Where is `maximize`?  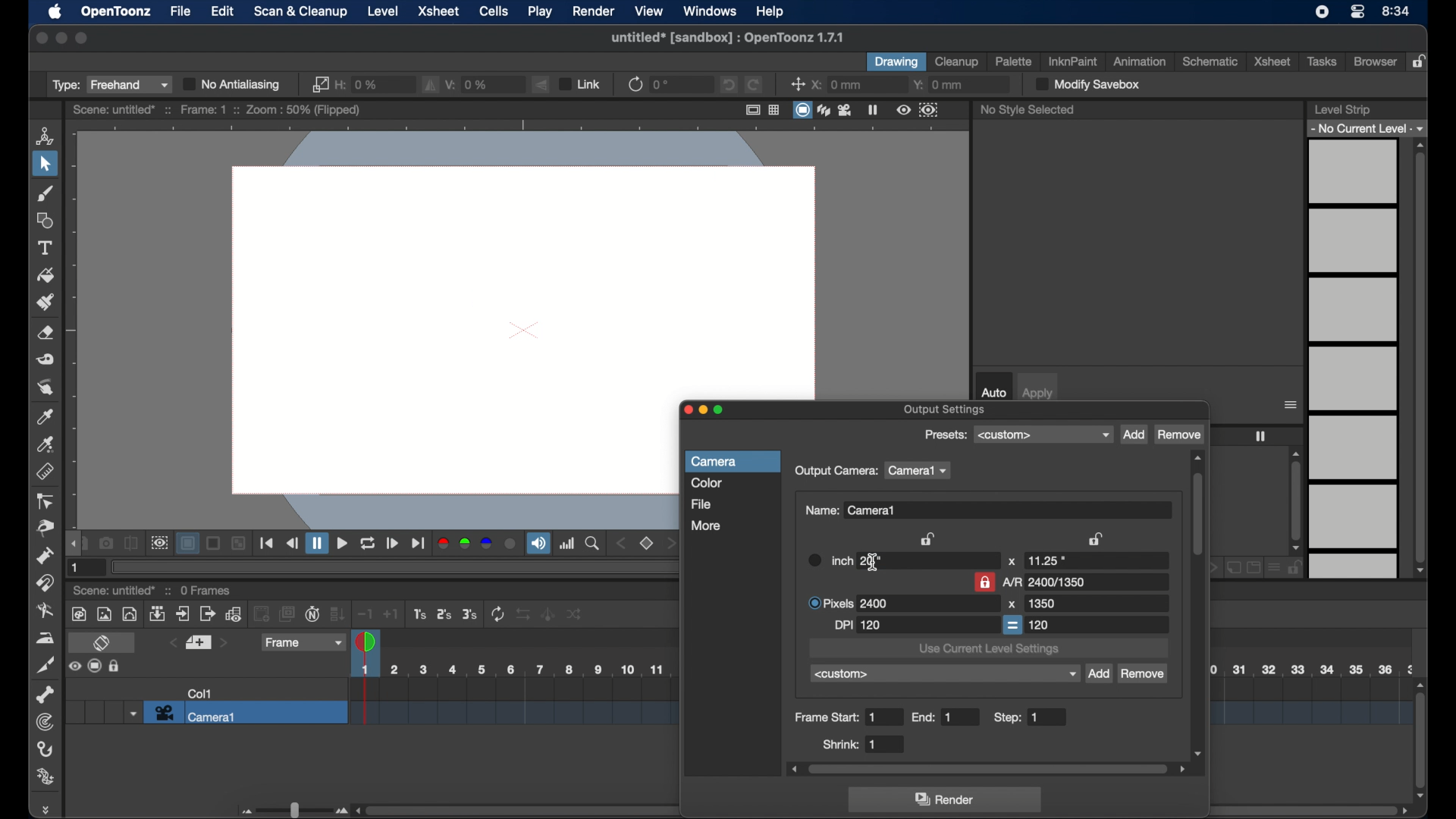 maximize is located at coordinates (82, 38).